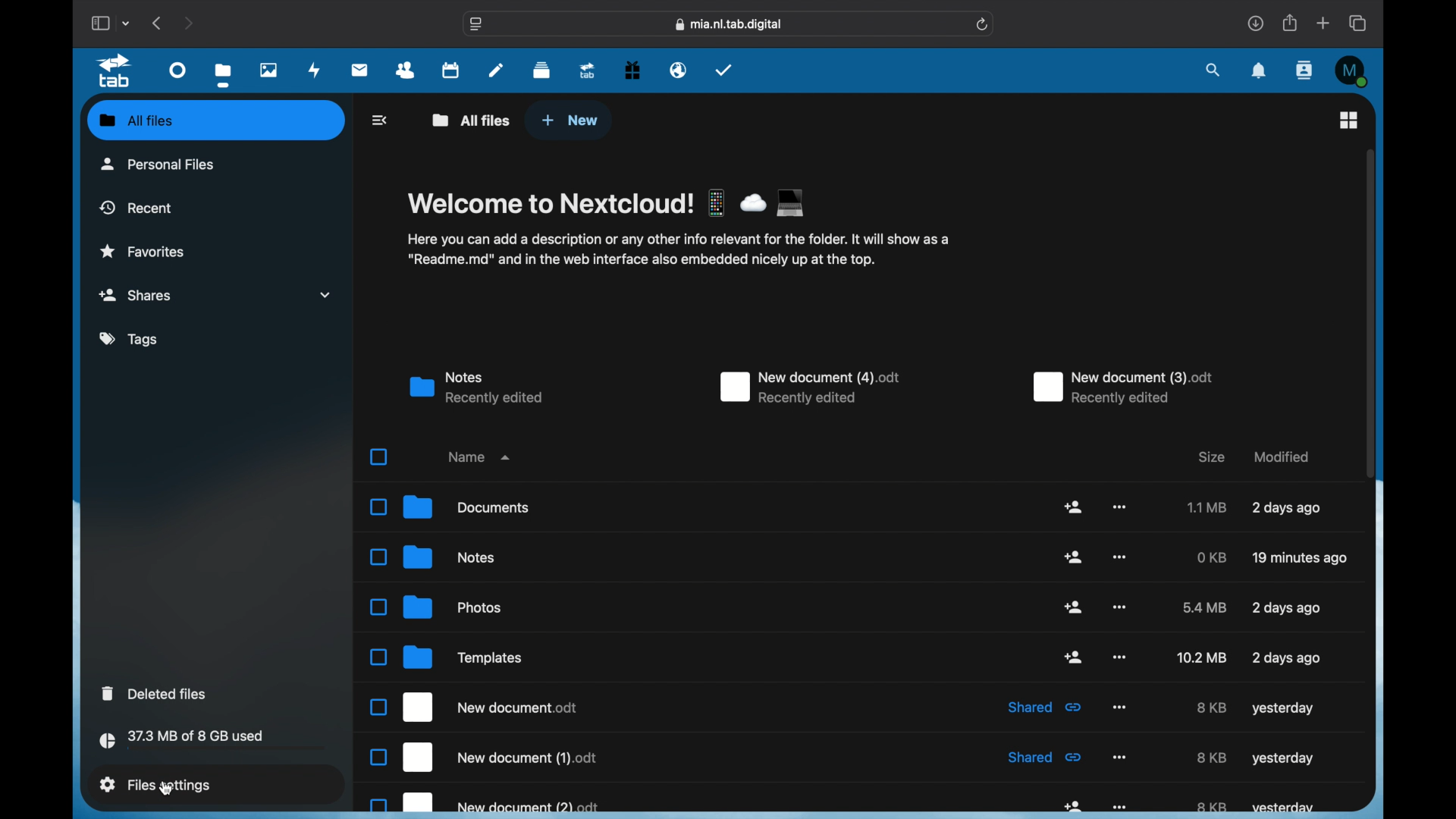 This screenshot has height=819, width=1456. I want to click on downloads, so click(1255, 23).